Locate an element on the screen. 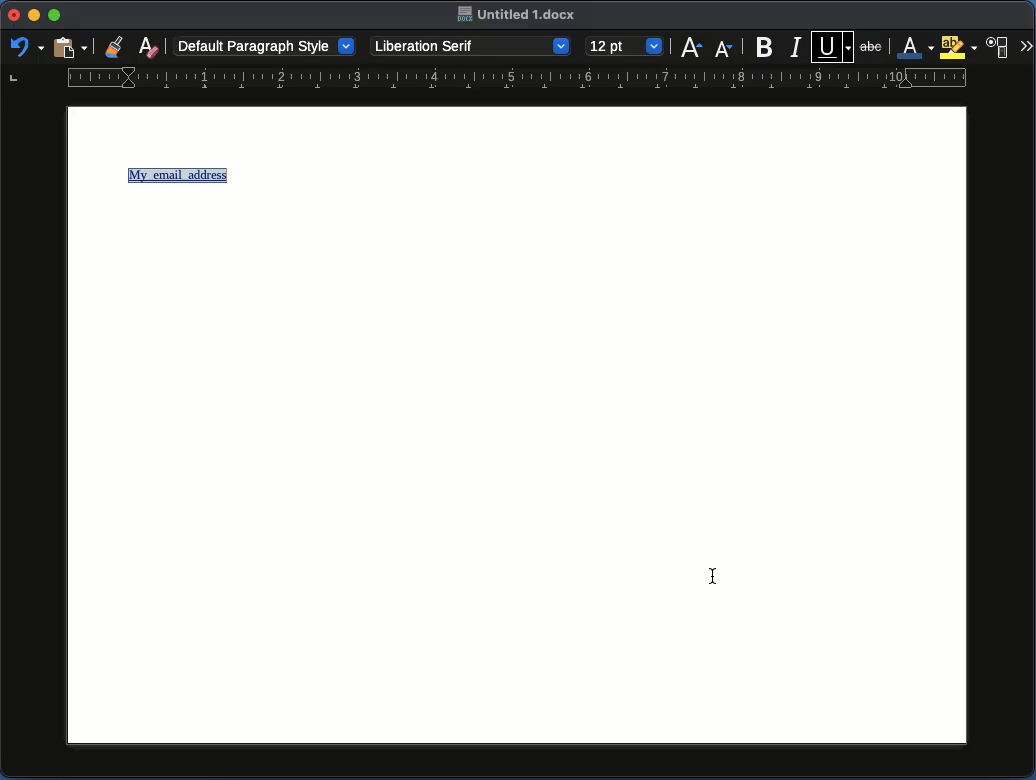  Font color is located at coordinates (912, 47).